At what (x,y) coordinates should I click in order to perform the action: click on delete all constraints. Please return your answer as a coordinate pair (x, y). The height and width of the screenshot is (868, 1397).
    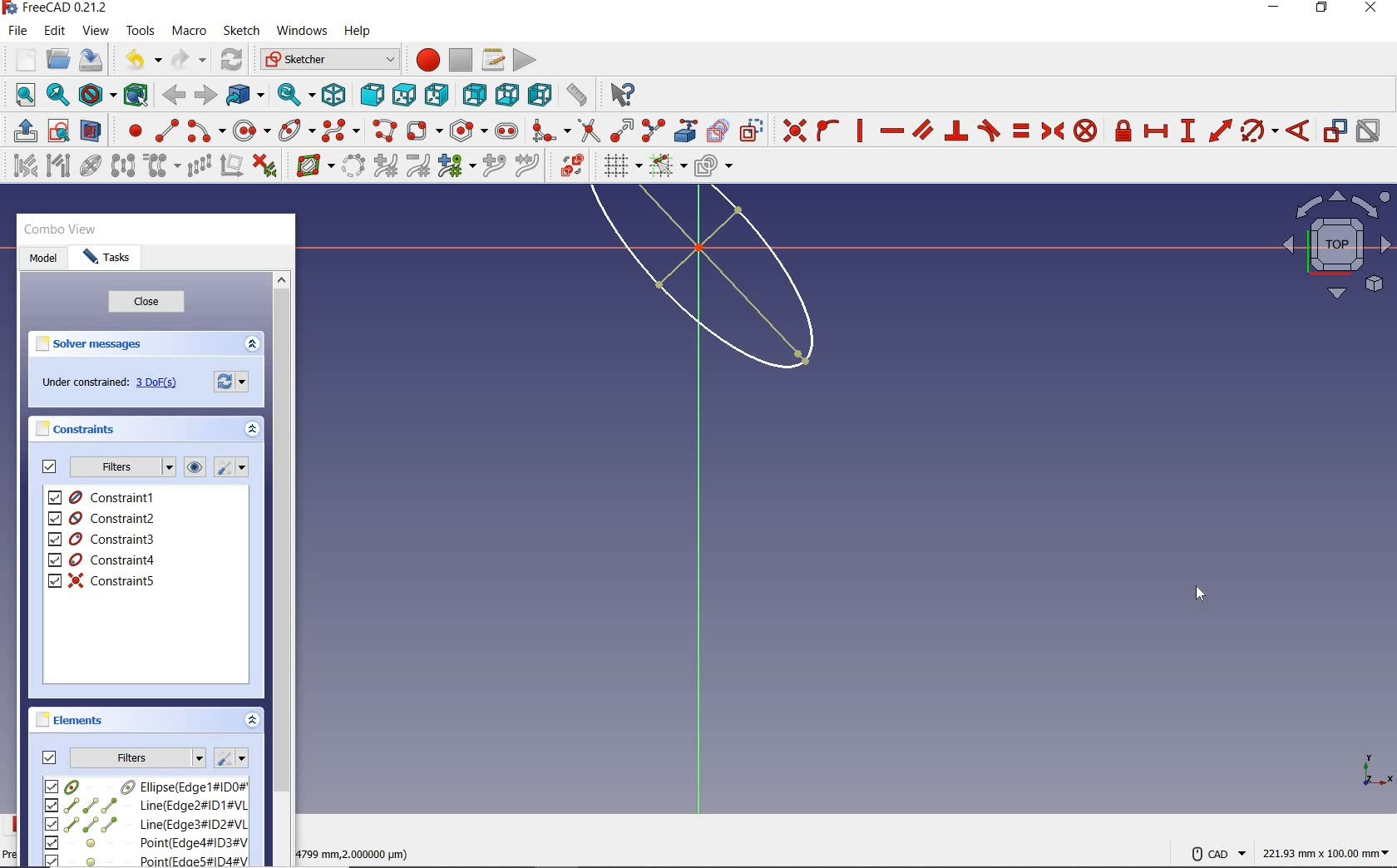
    Looking at the image, I should click on (264, 165).